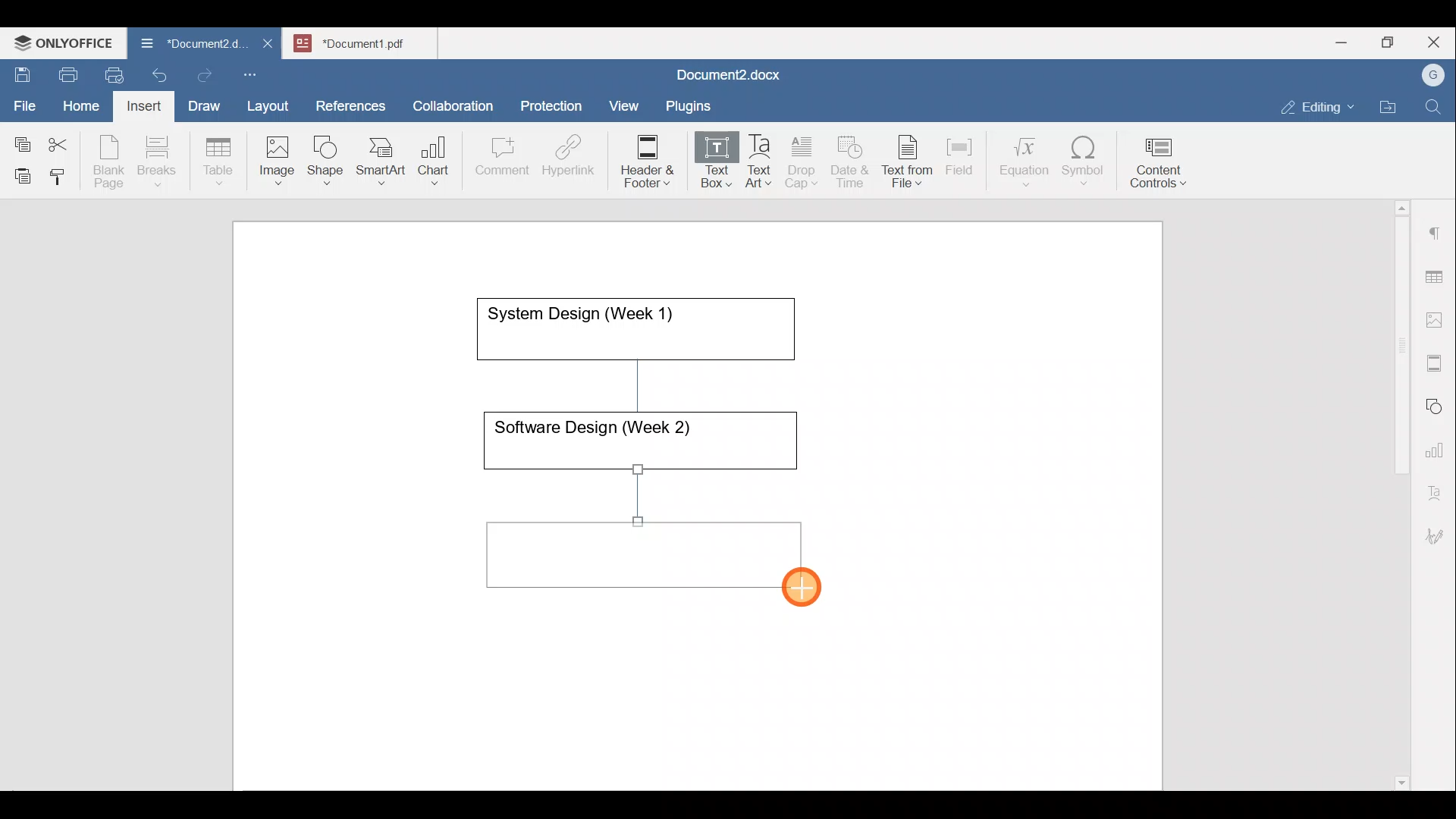  Describe the element at coordinates (202, 102) in the screenshot. I see `Draw` at that location.